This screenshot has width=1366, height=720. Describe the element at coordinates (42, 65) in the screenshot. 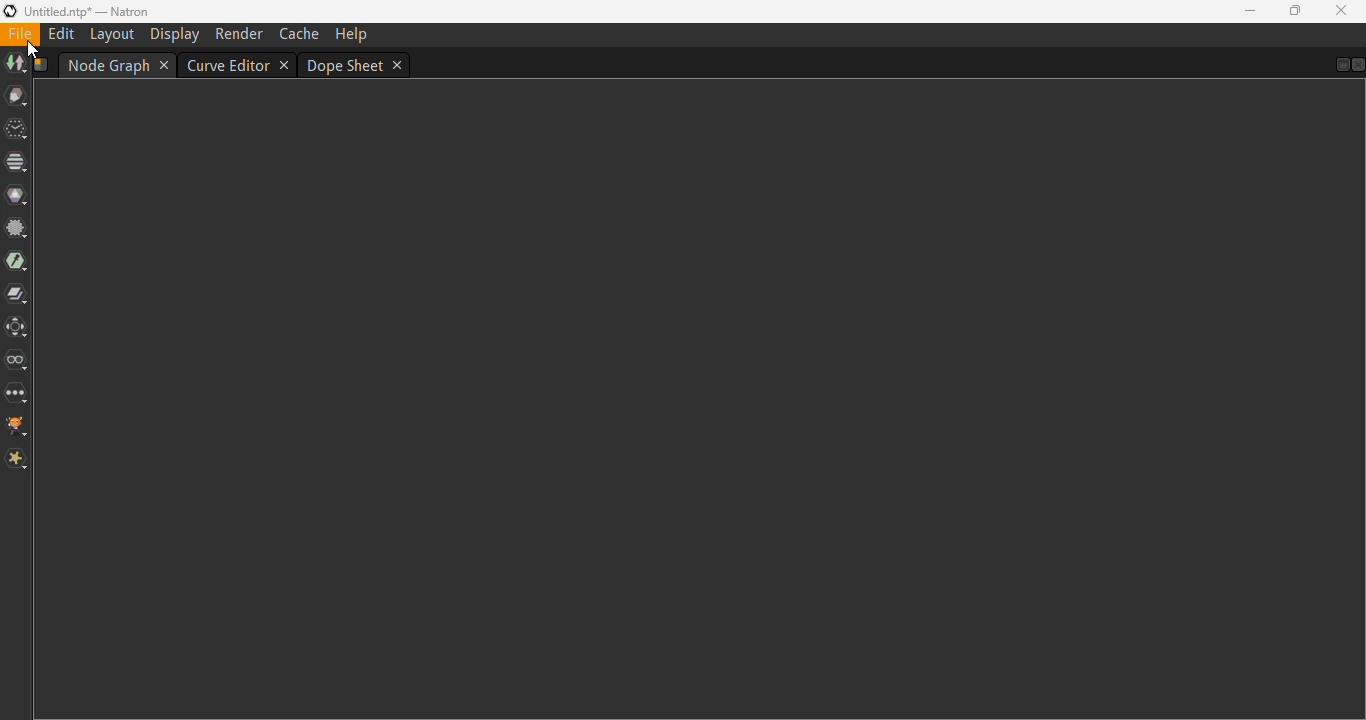

I see `script name: pane 3` at that location.